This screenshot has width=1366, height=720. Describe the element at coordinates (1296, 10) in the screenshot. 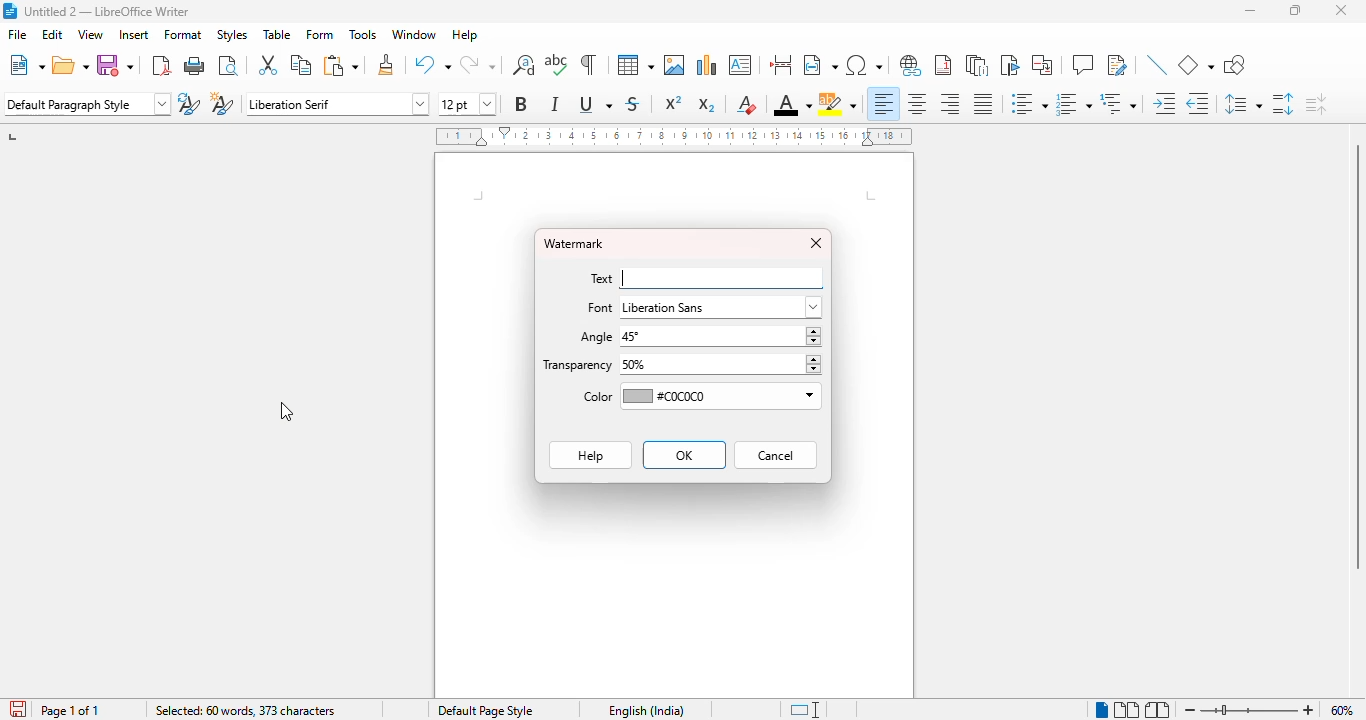

I see `maximize` at that location.